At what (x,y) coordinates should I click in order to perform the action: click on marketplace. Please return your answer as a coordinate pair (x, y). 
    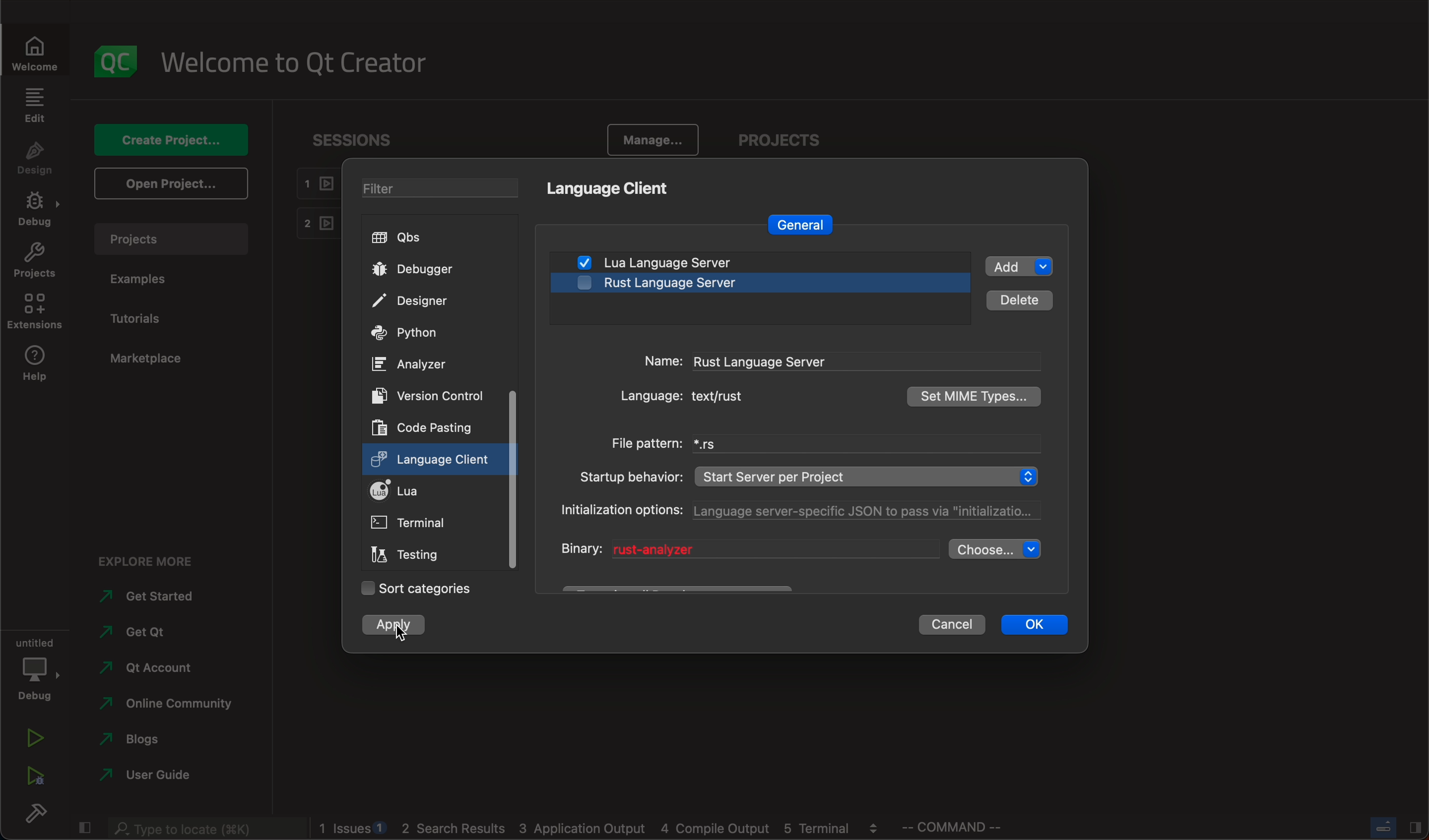
    Looking at the image, I should click on (146, 360).